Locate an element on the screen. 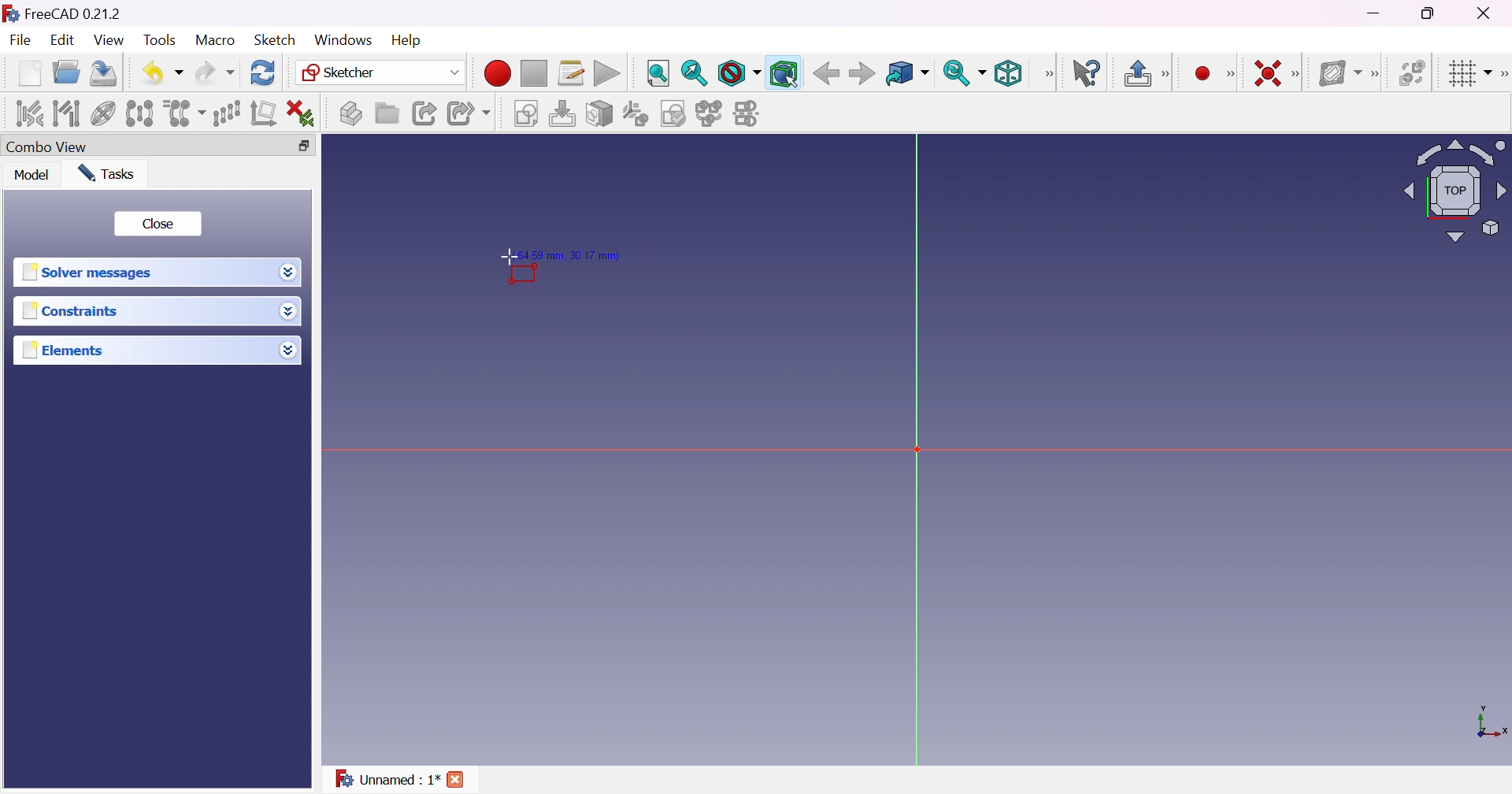 The width and height of the screenshot is (1512, 794). Restore down is located at coordinates (304, 146).